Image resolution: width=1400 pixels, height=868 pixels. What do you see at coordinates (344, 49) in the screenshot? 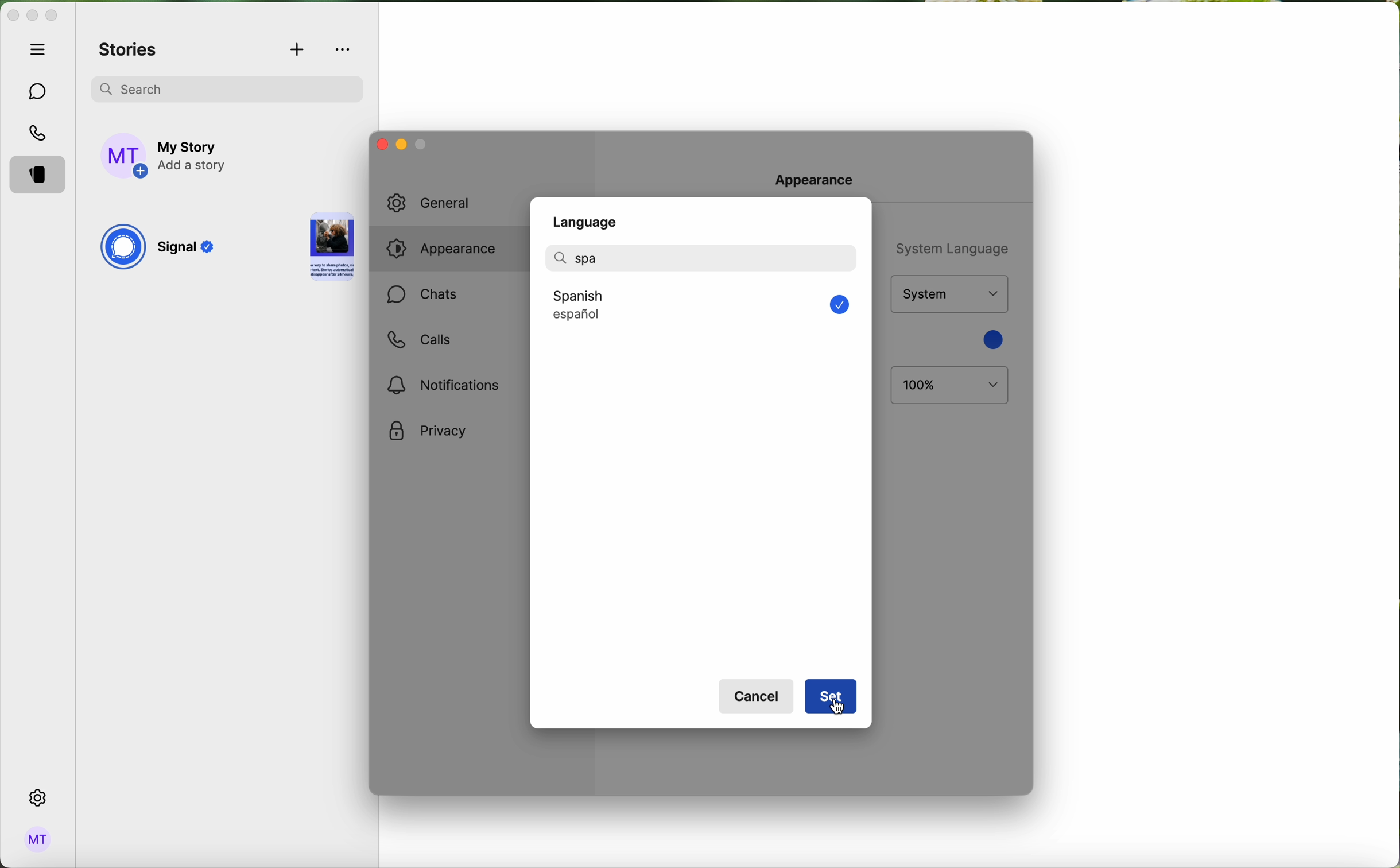
I see `more options` at bounding box center [344, 49].